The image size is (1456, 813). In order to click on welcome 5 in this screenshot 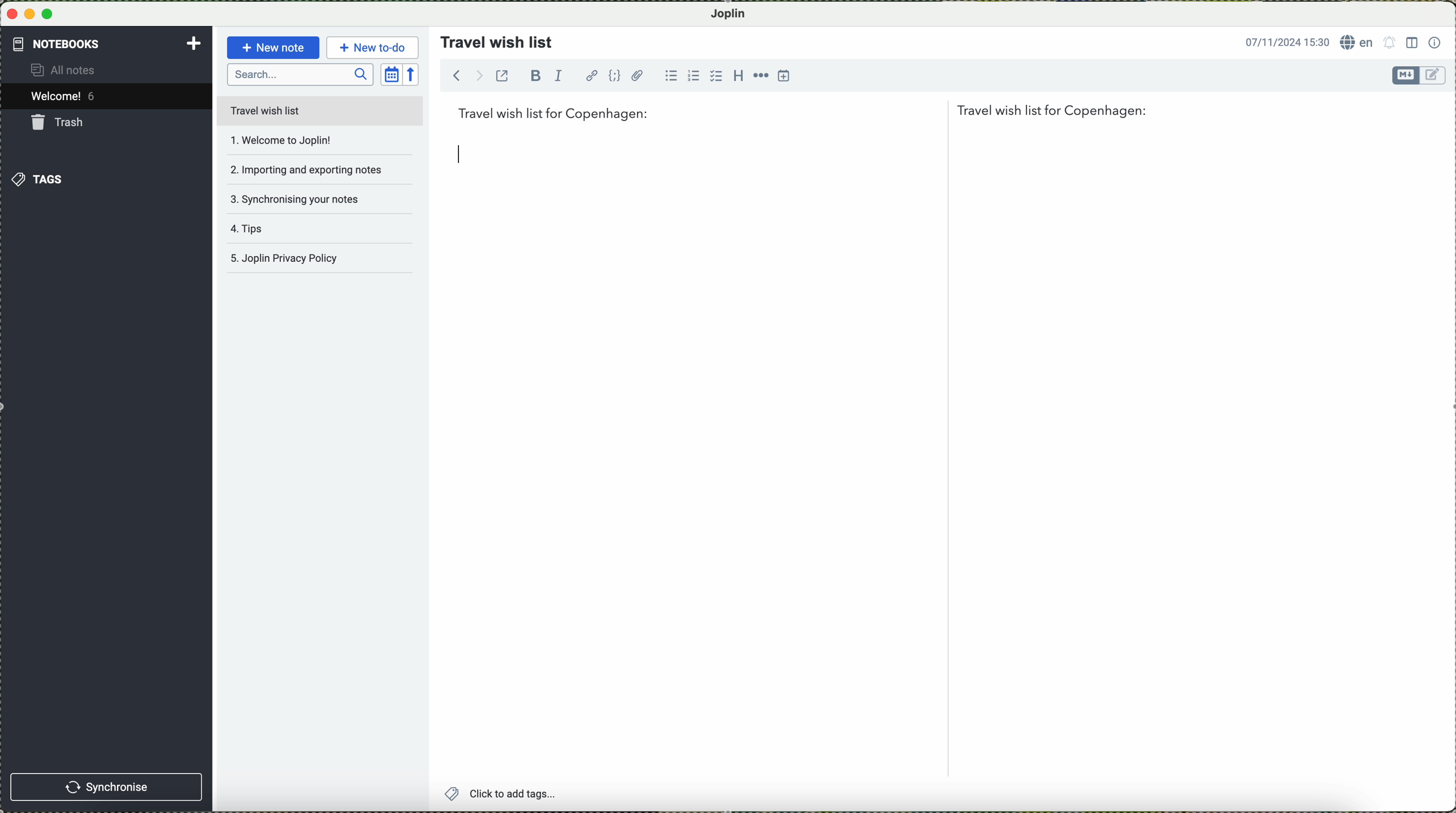, I will do `click(66, 98)`.